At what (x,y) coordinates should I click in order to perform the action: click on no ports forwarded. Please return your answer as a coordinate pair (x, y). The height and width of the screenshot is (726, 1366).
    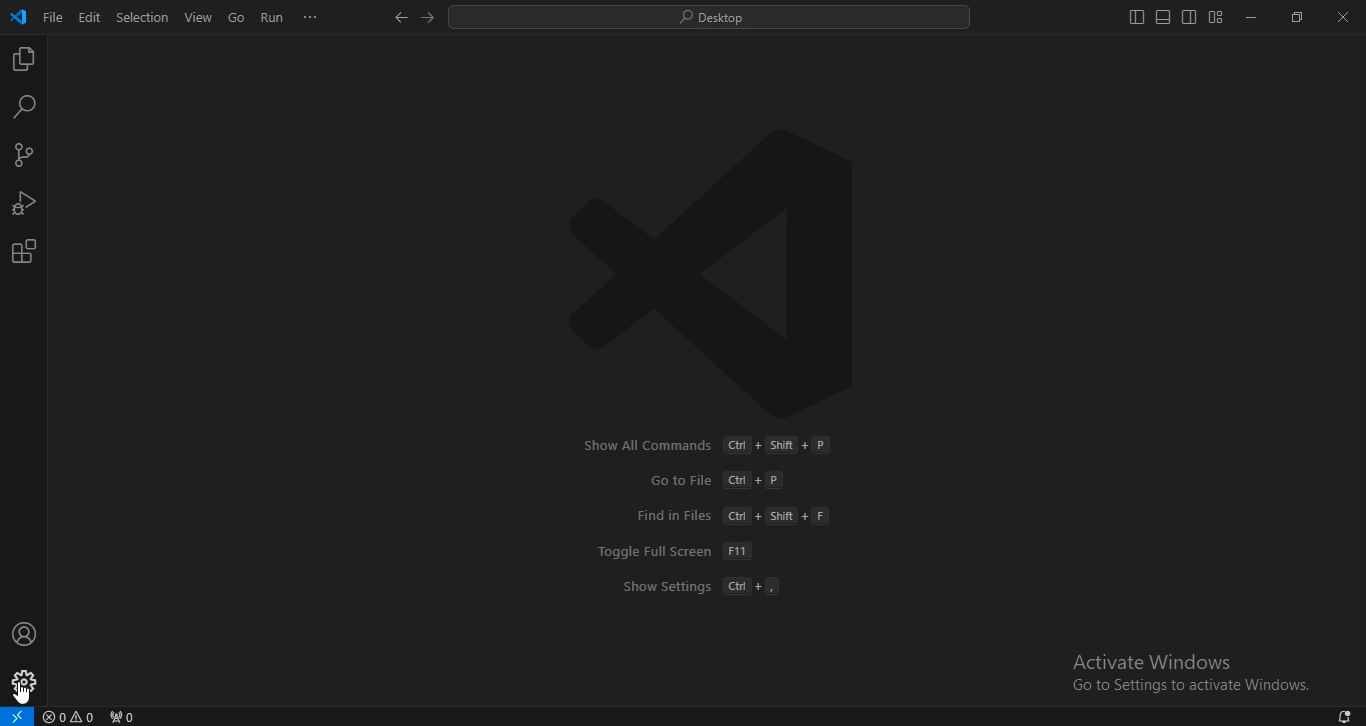
    Looking at the image, I should click on (121, 717).